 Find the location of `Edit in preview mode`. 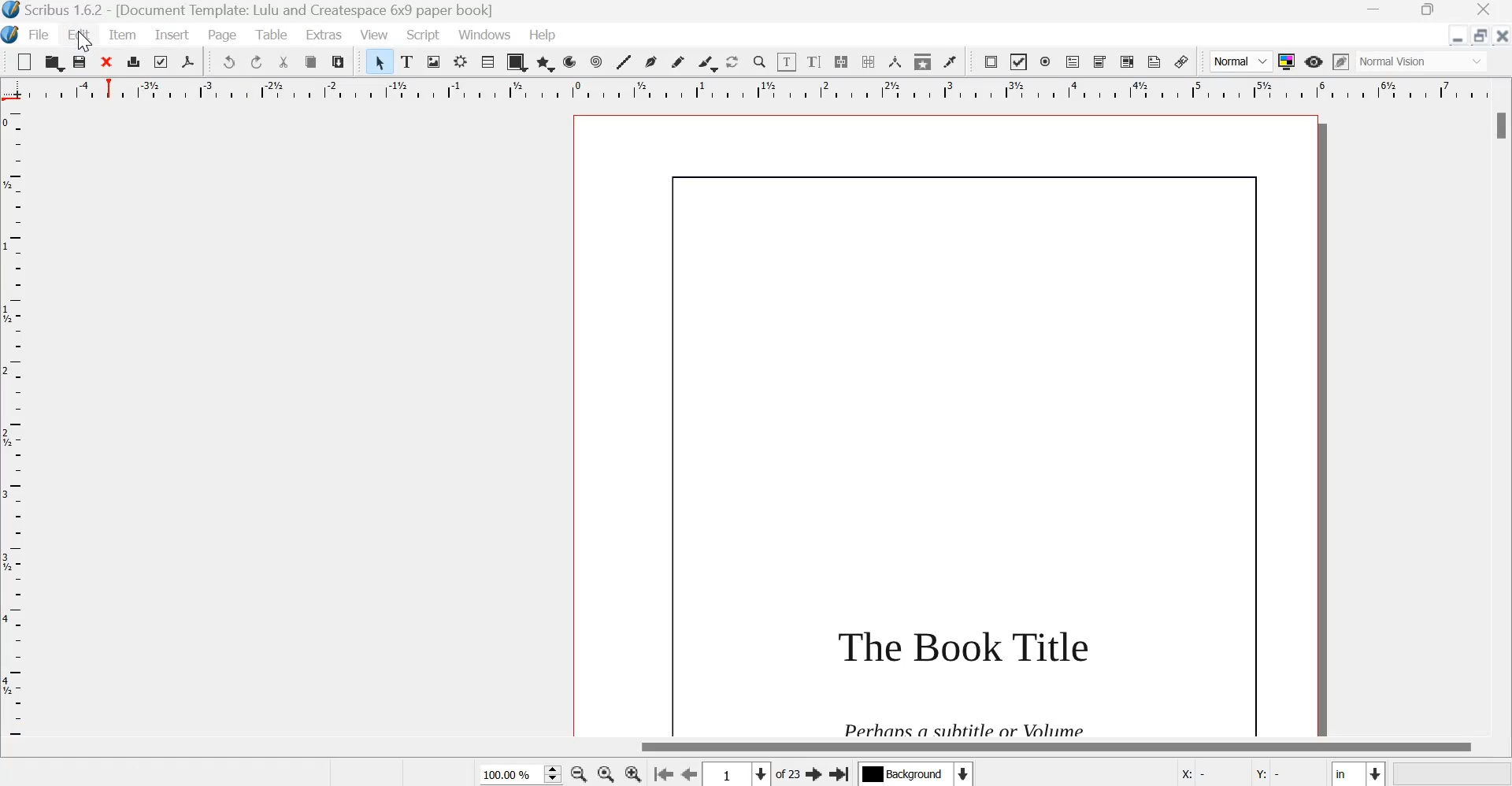

Edit in preview mode is located at coordinates (1340, 61).